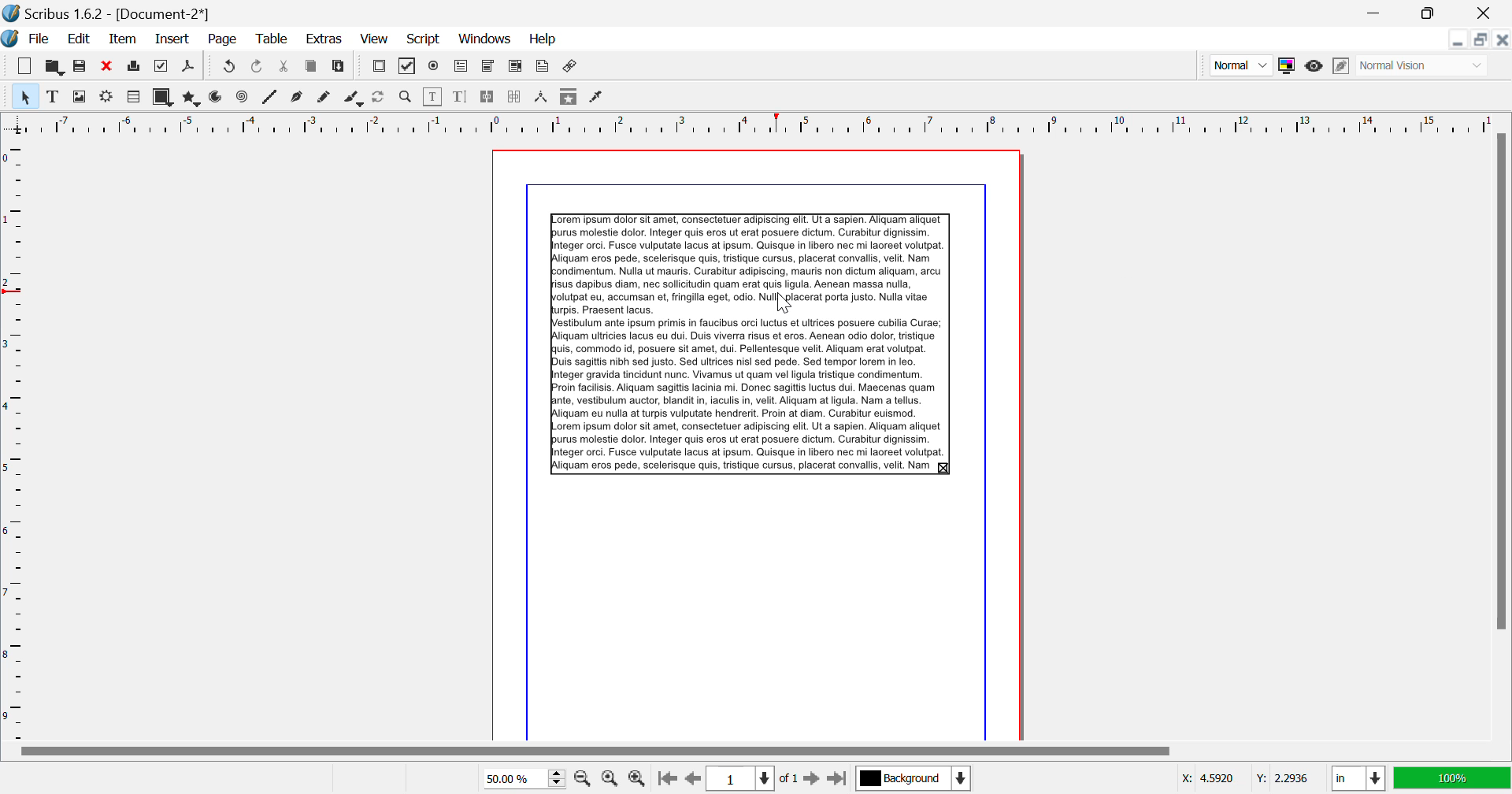 This screenshot has height=794, width=1512. What do you see at coordinates (913, 780) in the screenshot?
I see `Background` at bounding box center [913, 780].